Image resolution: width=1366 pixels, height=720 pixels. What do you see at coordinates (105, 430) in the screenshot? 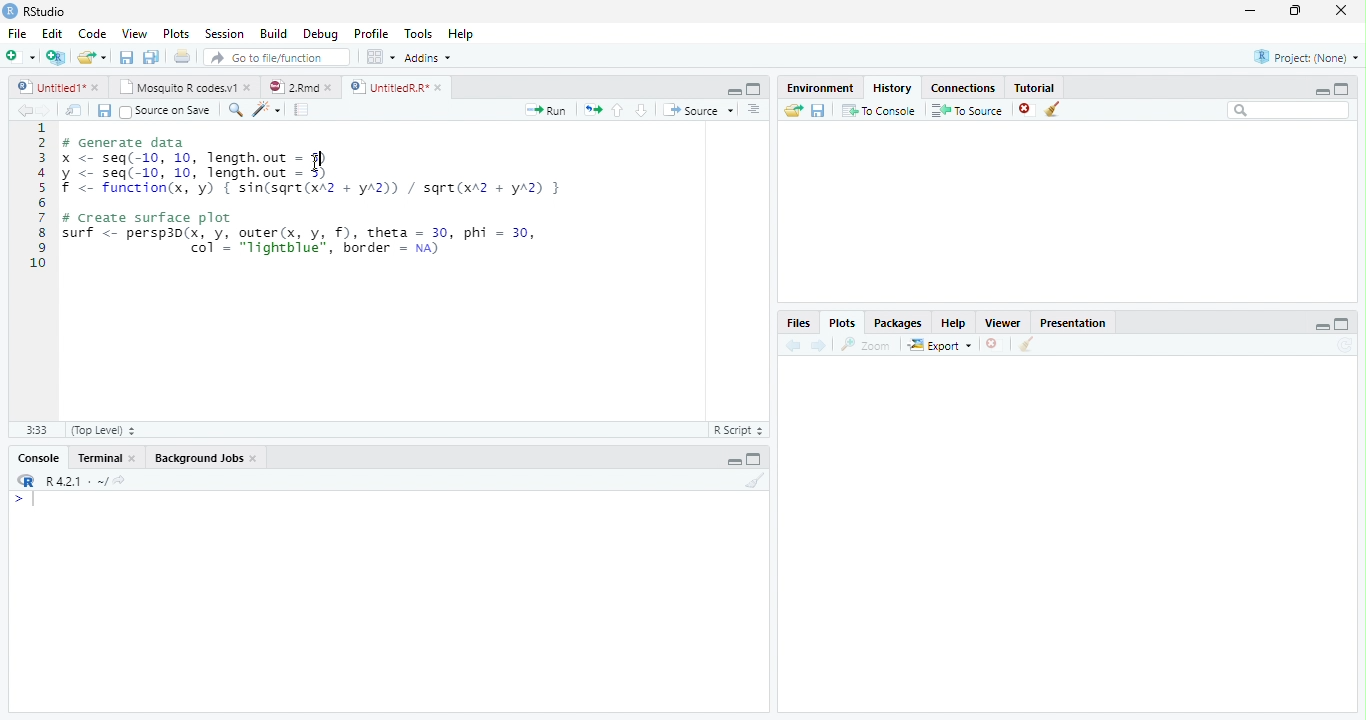
I see `(Top Level)` at bounding box center [105, 430].